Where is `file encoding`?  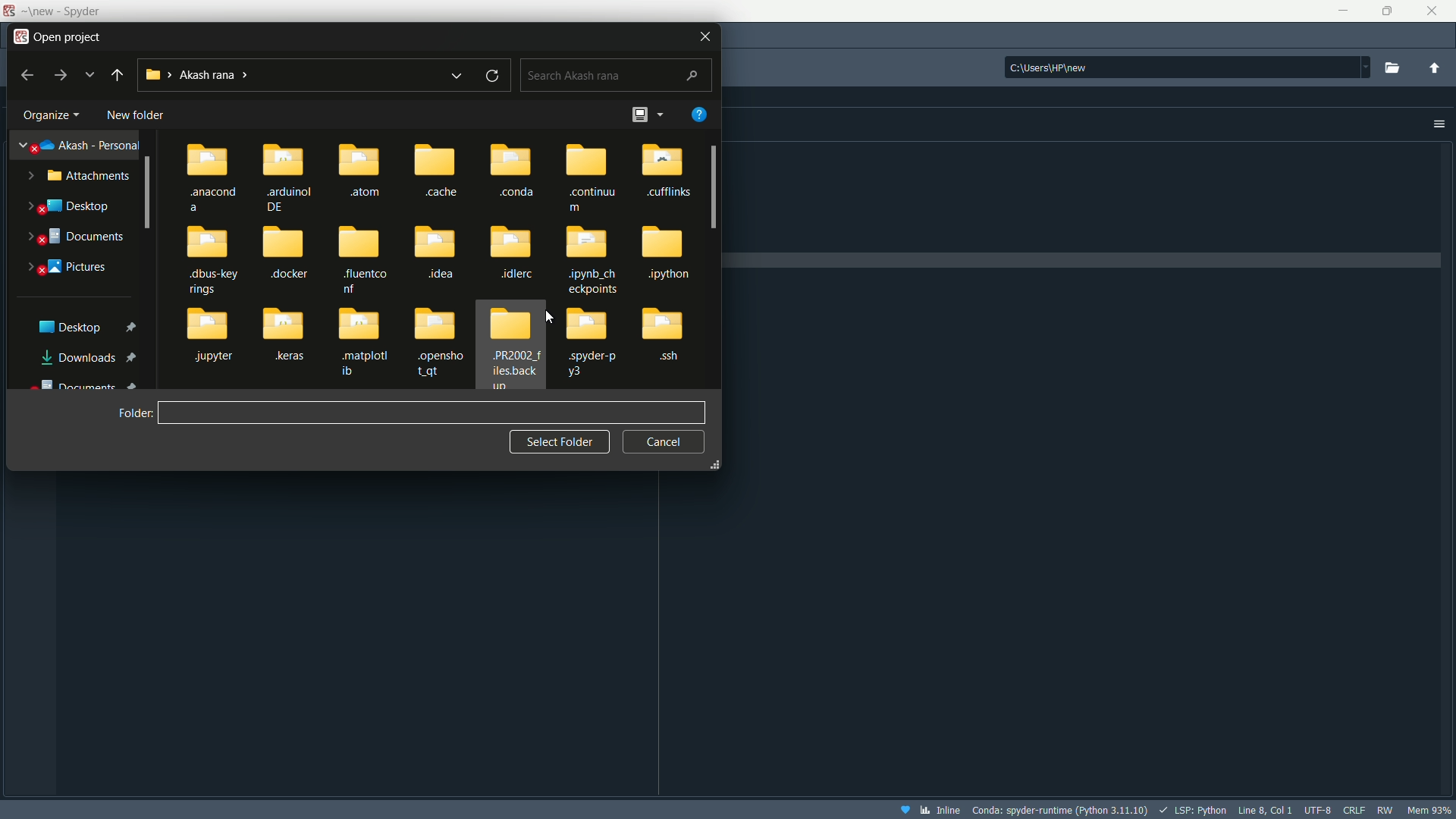
file encoding is located at coordinates (1317, 808).